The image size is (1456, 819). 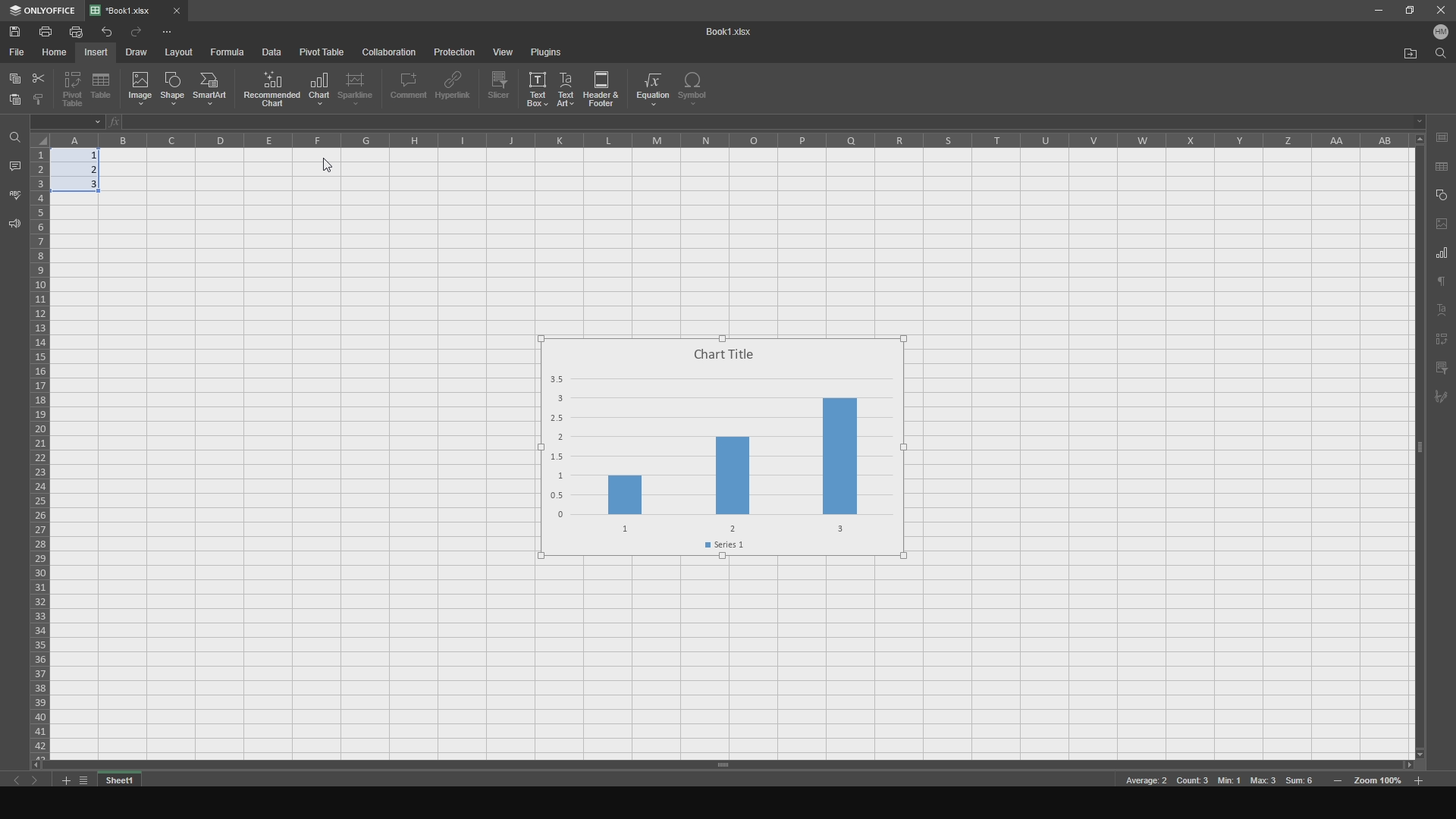 What do you see at coordinates (277, 52) in the screenshot?
I see `data` at bounding box center [277, 52].